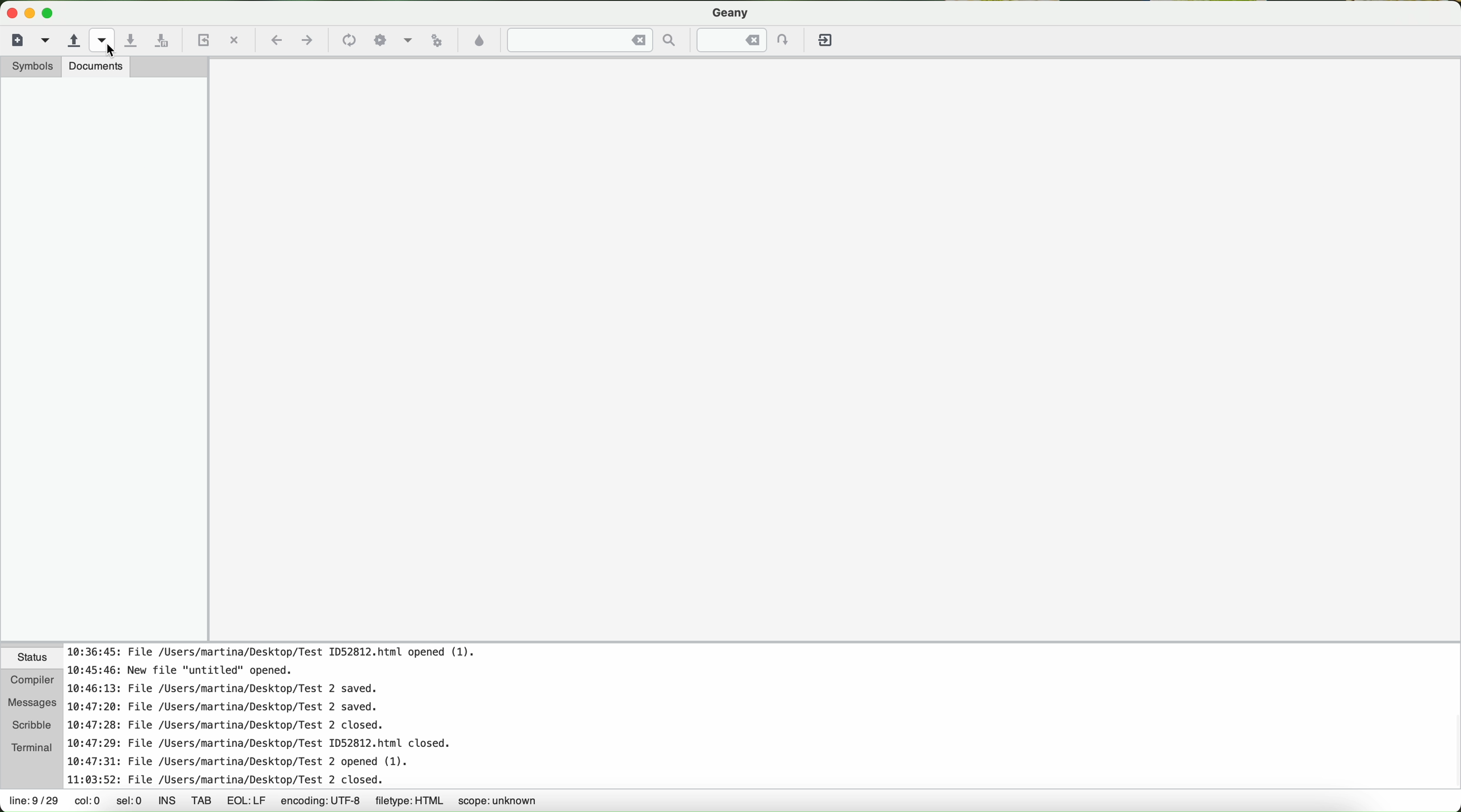 Image resolution: width=1461 pixels, height=812 pixels. I want to click on quit Geany, so click(827, 43).